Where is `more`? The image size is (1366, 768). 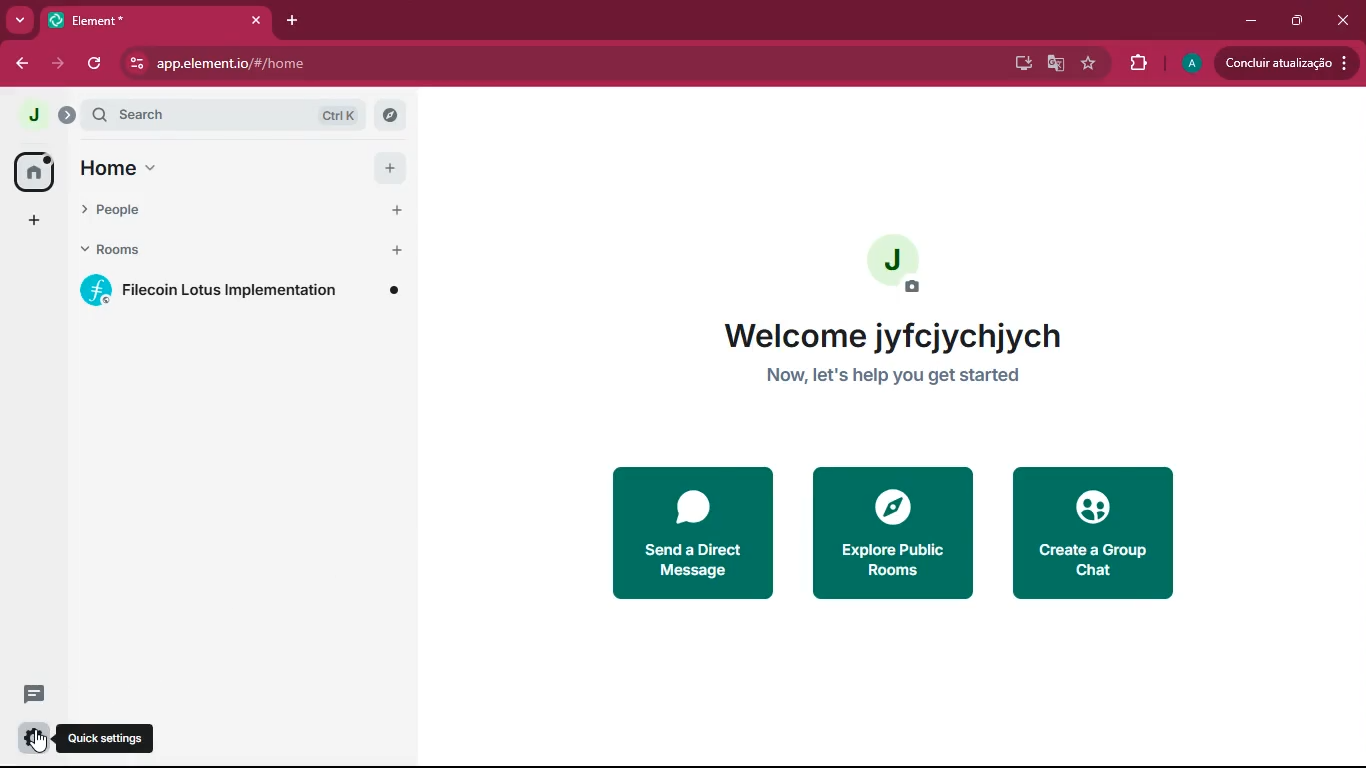 more is located at coordinates (31, 221).